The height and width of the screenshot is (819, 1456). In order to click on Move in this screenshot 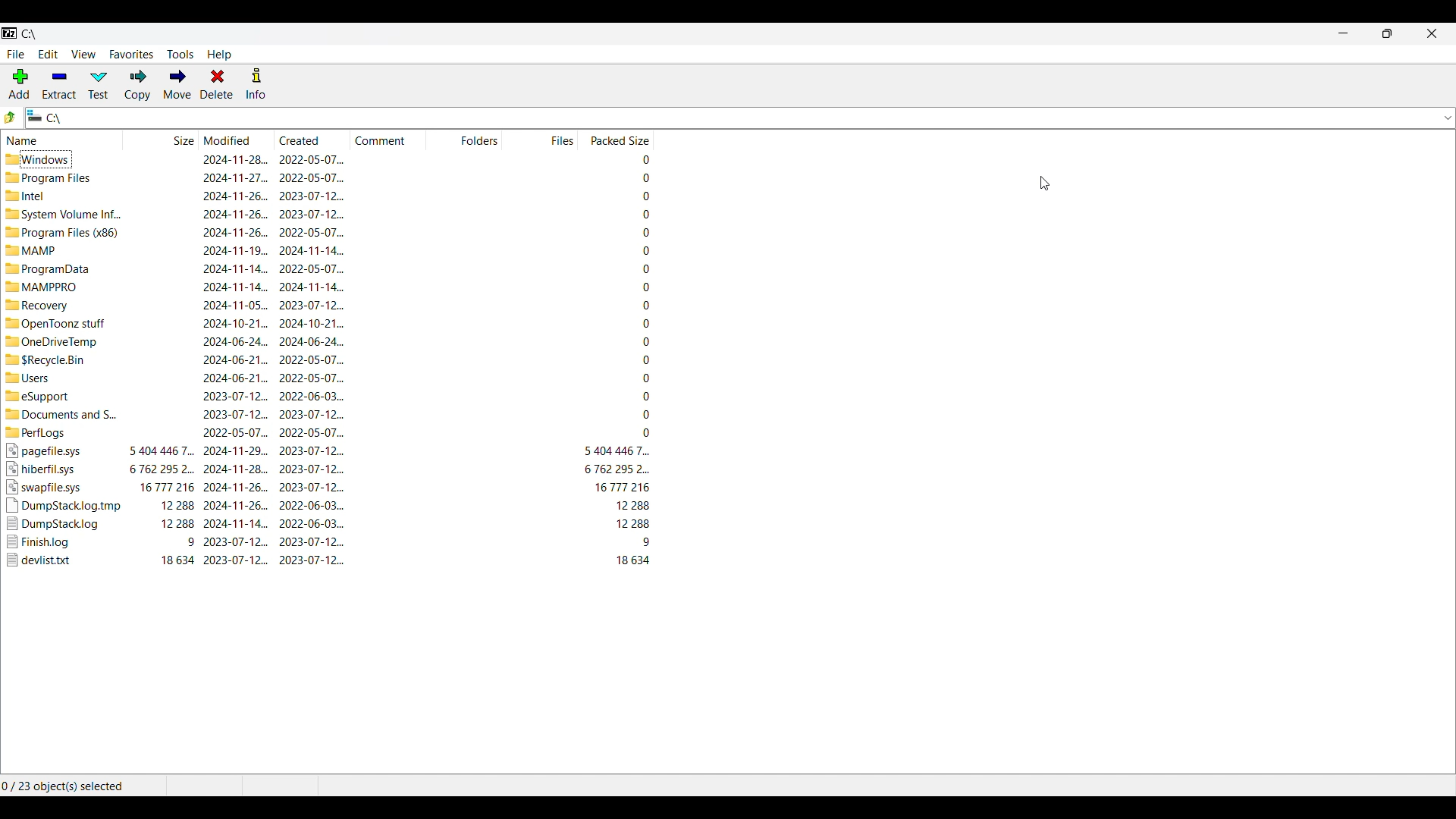, I will do `click(177, 84)`.